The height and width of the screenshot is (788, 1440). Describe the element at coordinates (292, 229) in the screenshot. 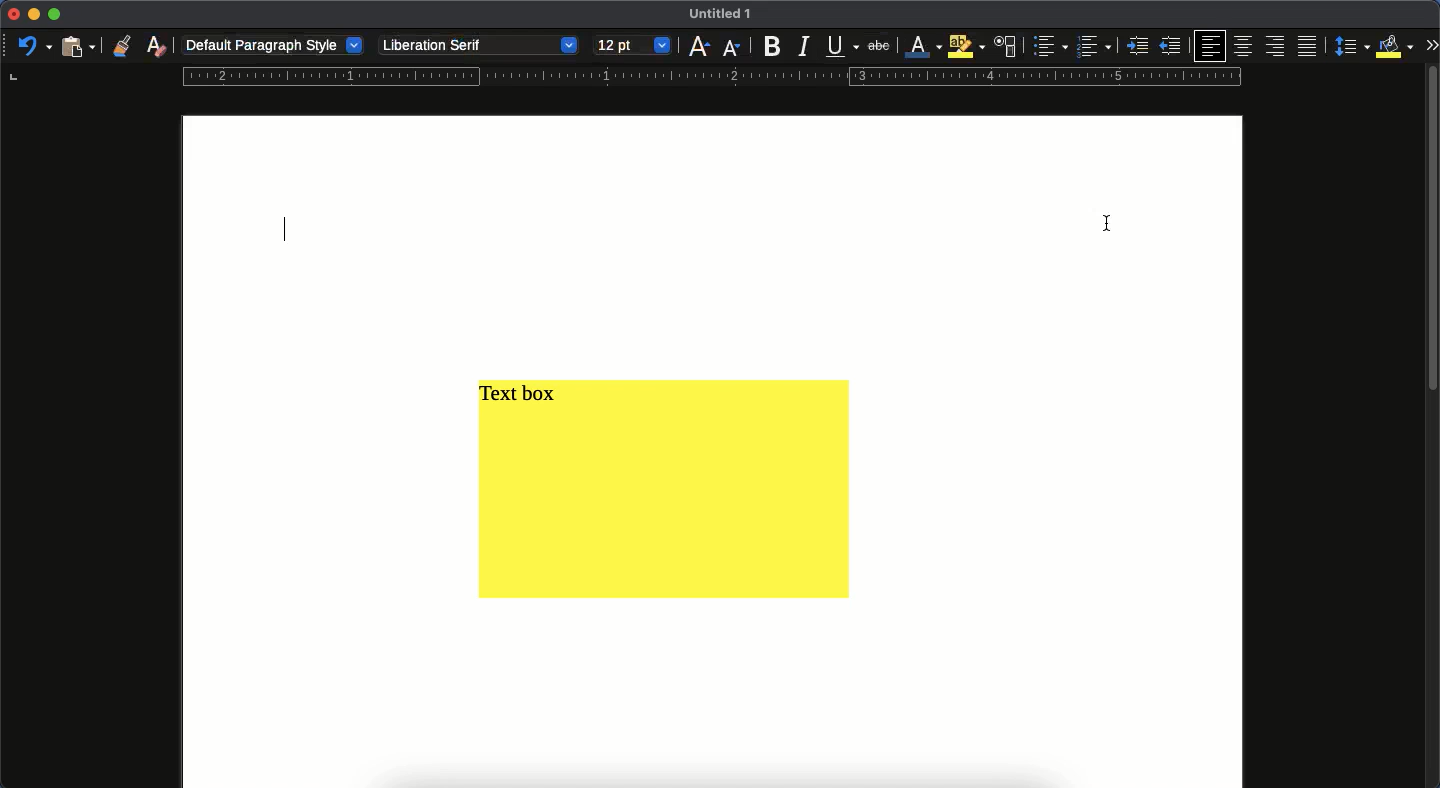

I see `typing` at that location.